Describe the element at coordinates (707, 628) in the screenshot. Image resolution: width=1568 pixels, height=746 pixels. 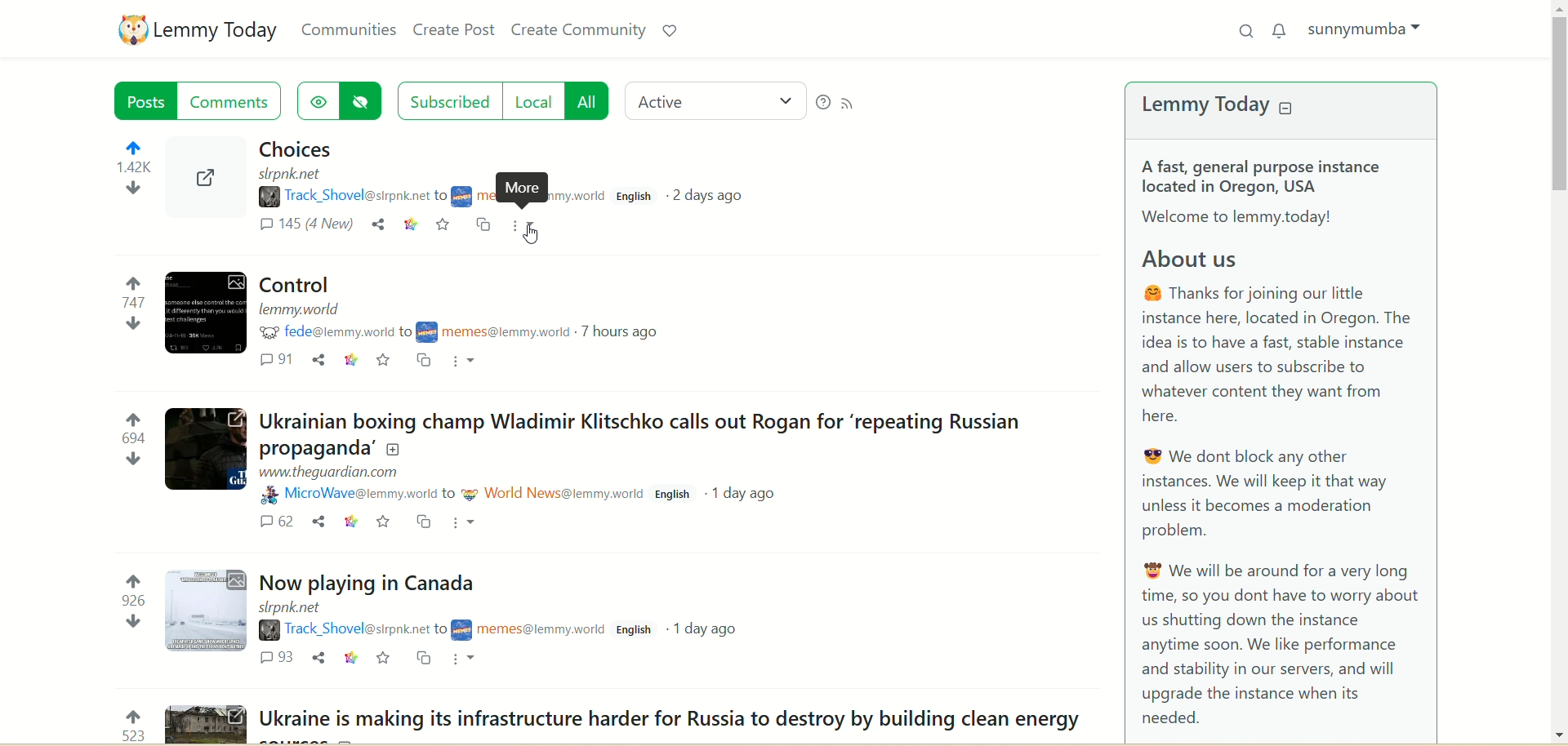
I see `1 day ago(post date)` at that location.